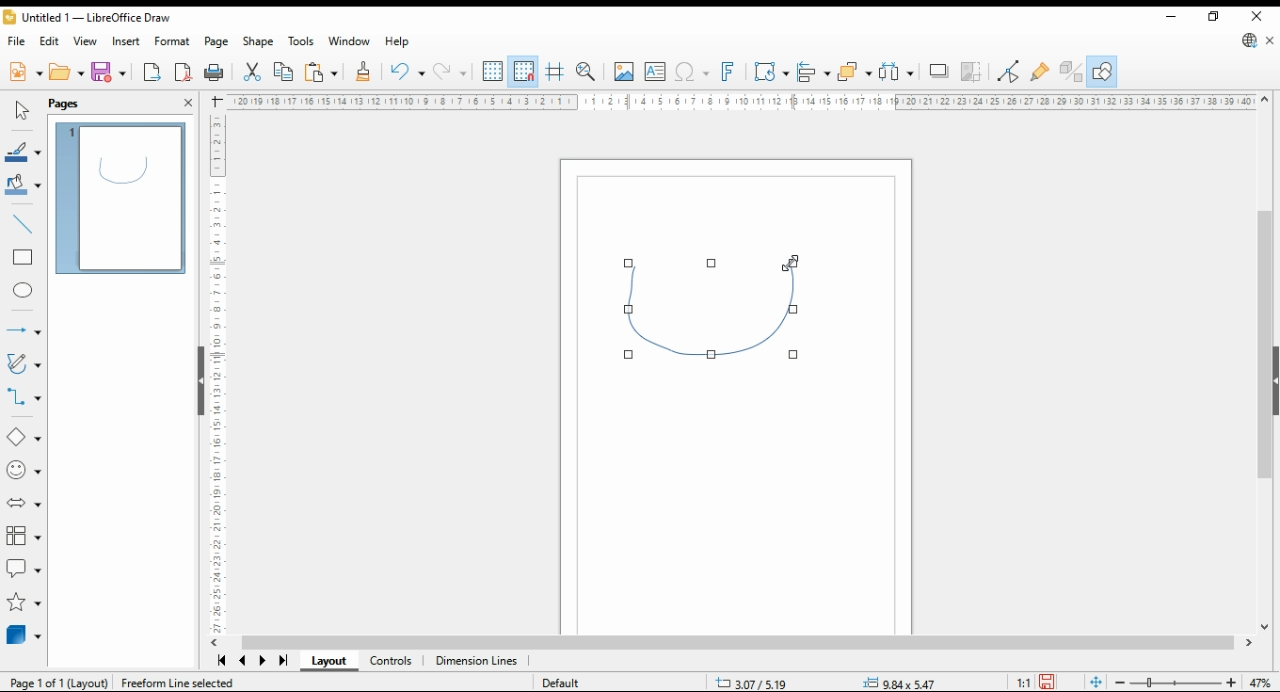  Describe the element at coordinates (23, 603) in the screenshot. I see `stars and banners` at that location.